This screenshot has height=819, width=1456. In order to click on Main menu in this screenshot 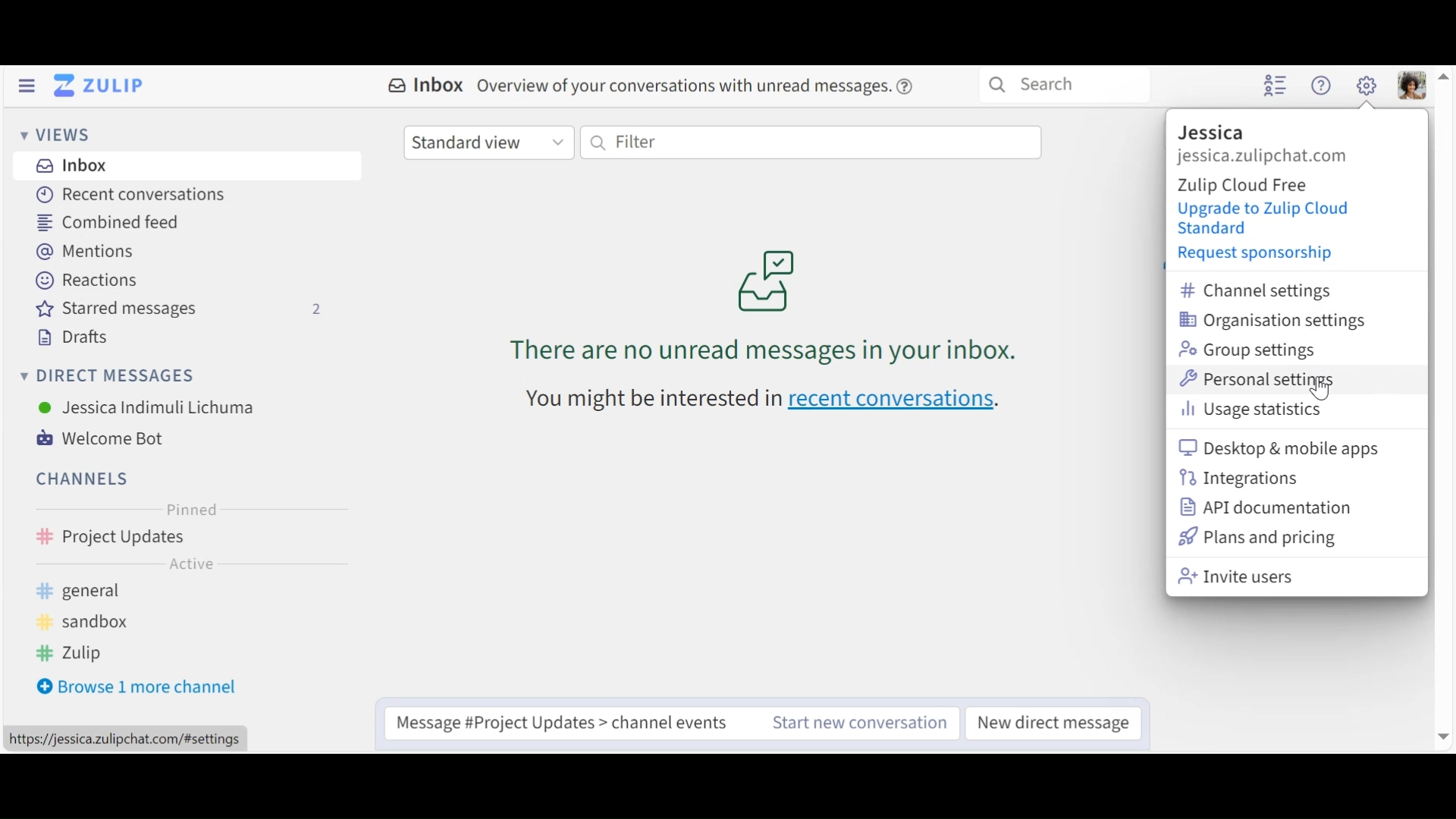, I will do `click(1368, 84)`.